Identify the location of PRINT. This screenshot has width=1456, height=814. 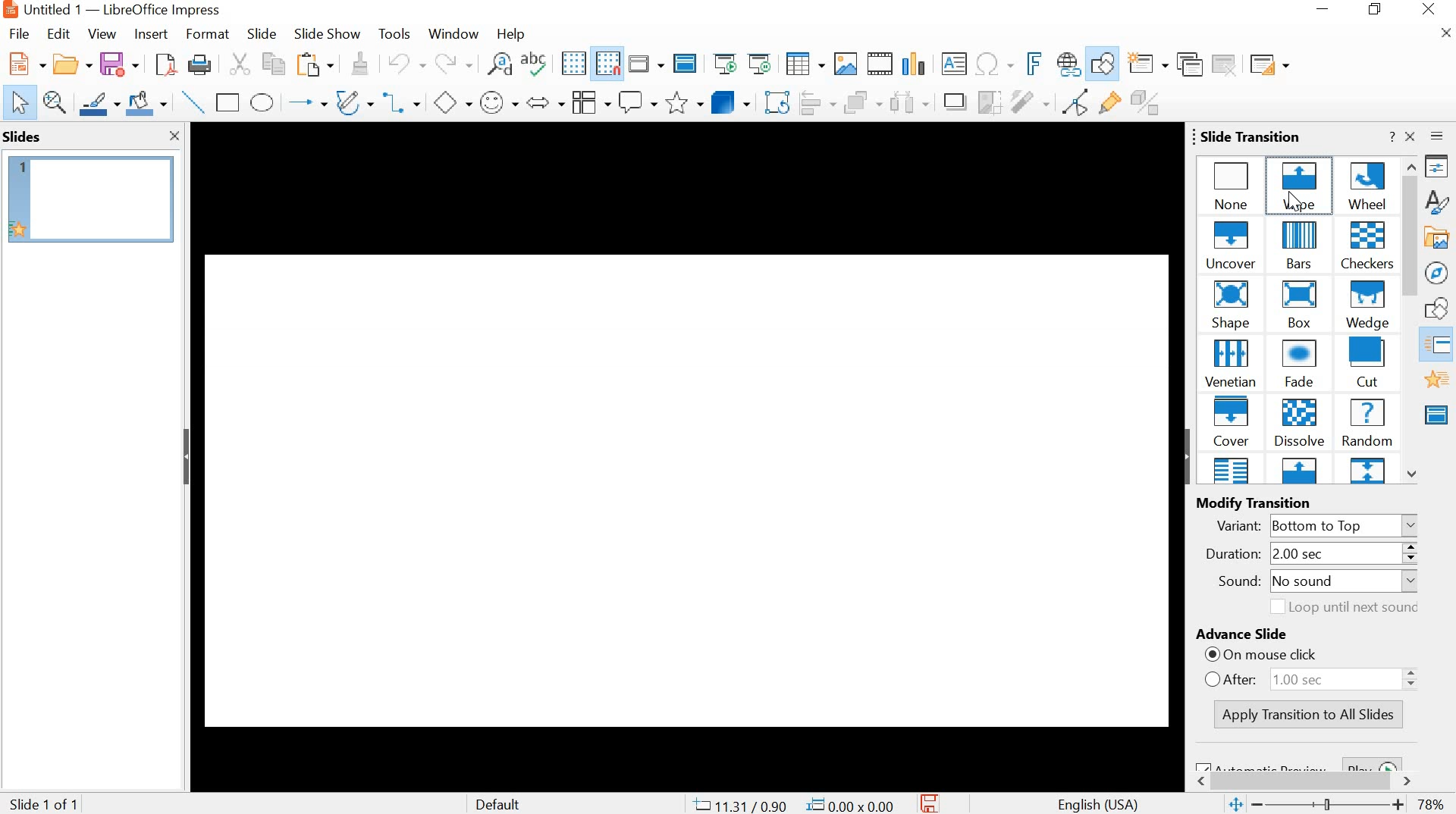
(201, 66).